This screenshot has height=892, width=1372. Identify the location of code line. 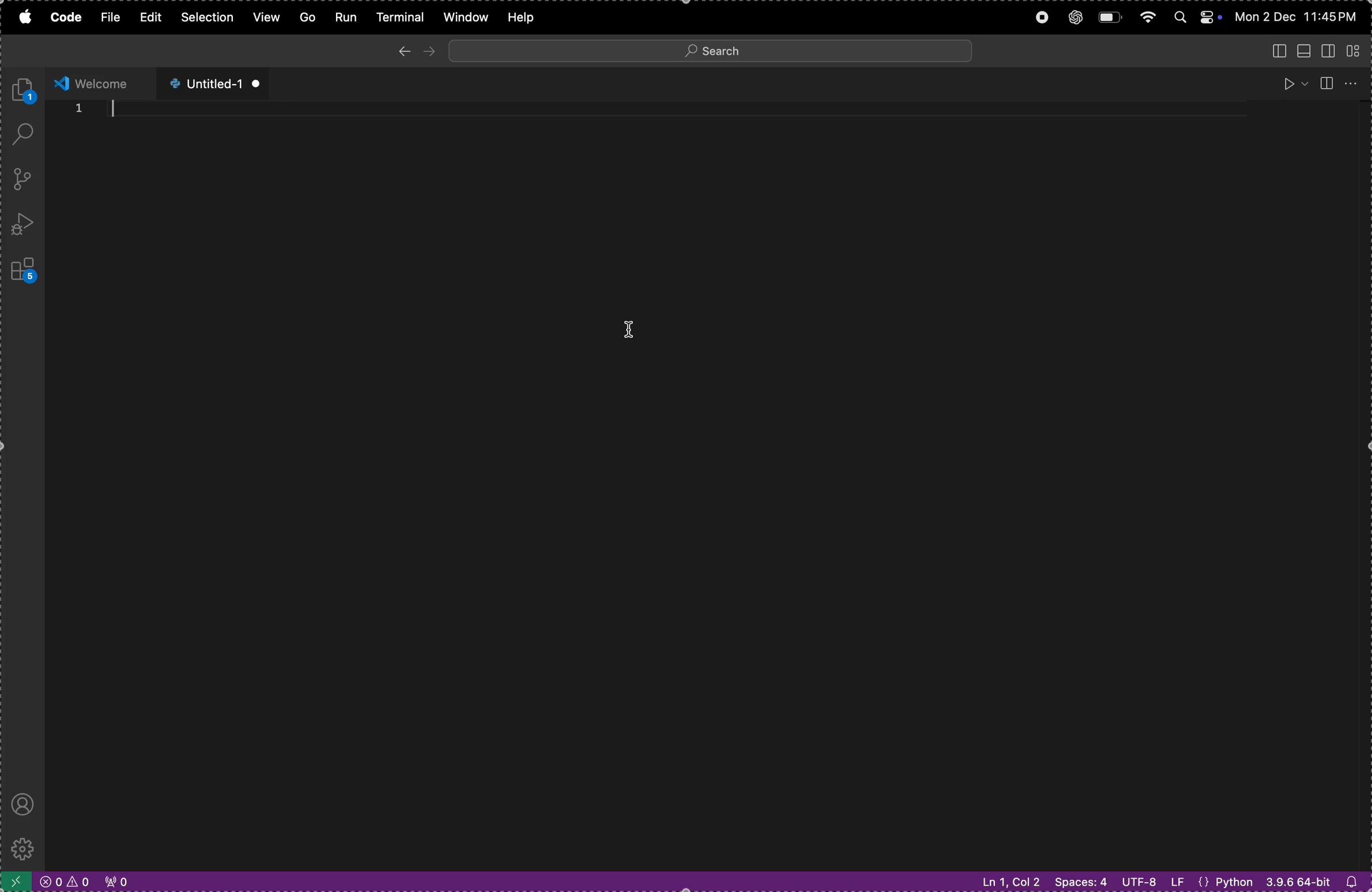
(675, 108).